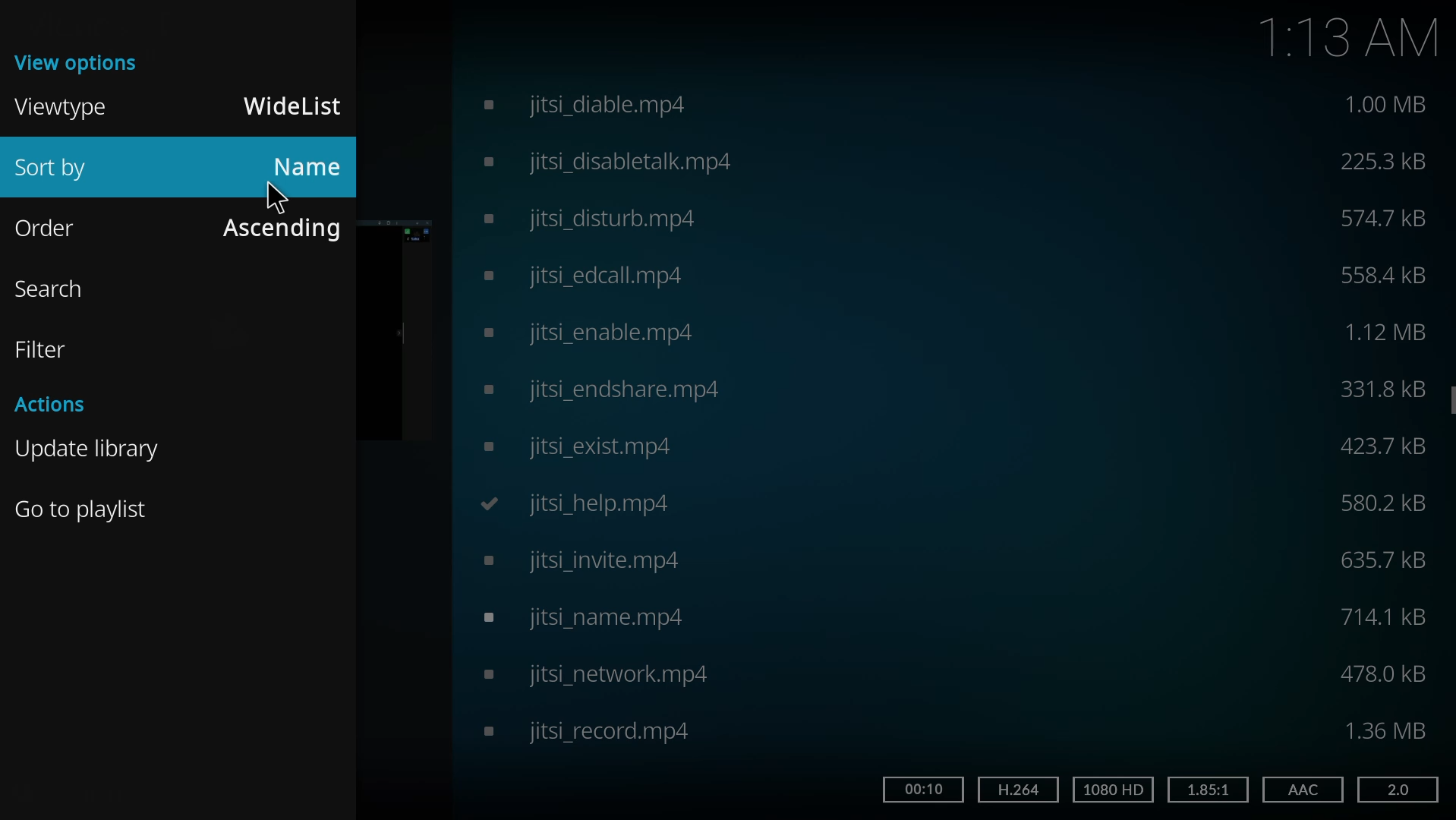  What do you see at coordinates (46, 347) in the screenshot?
I see `filter` at bounding box center [46, 347].